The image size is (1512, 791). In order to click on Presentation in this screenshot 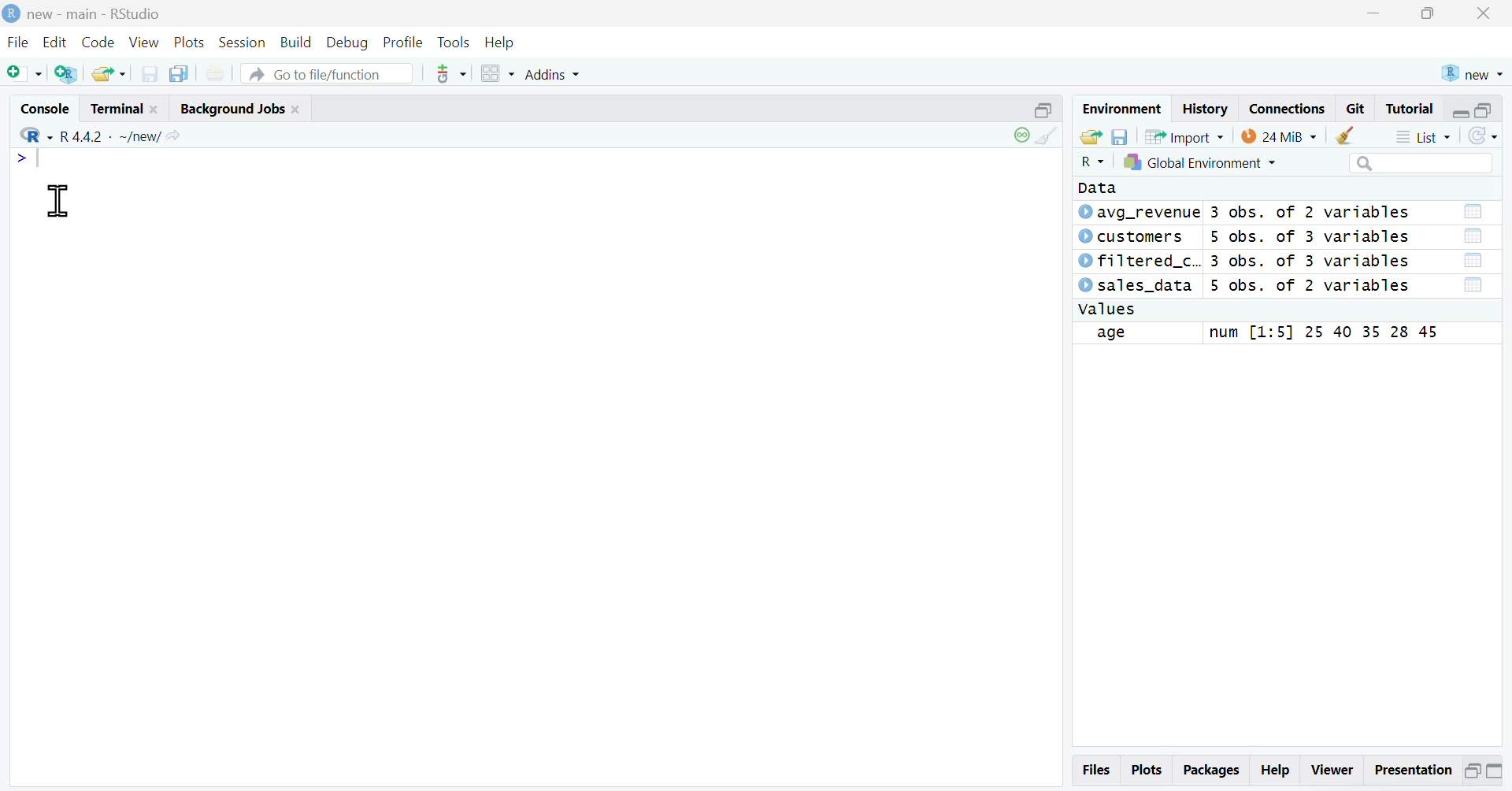, I will do `click(1412, 772)`.